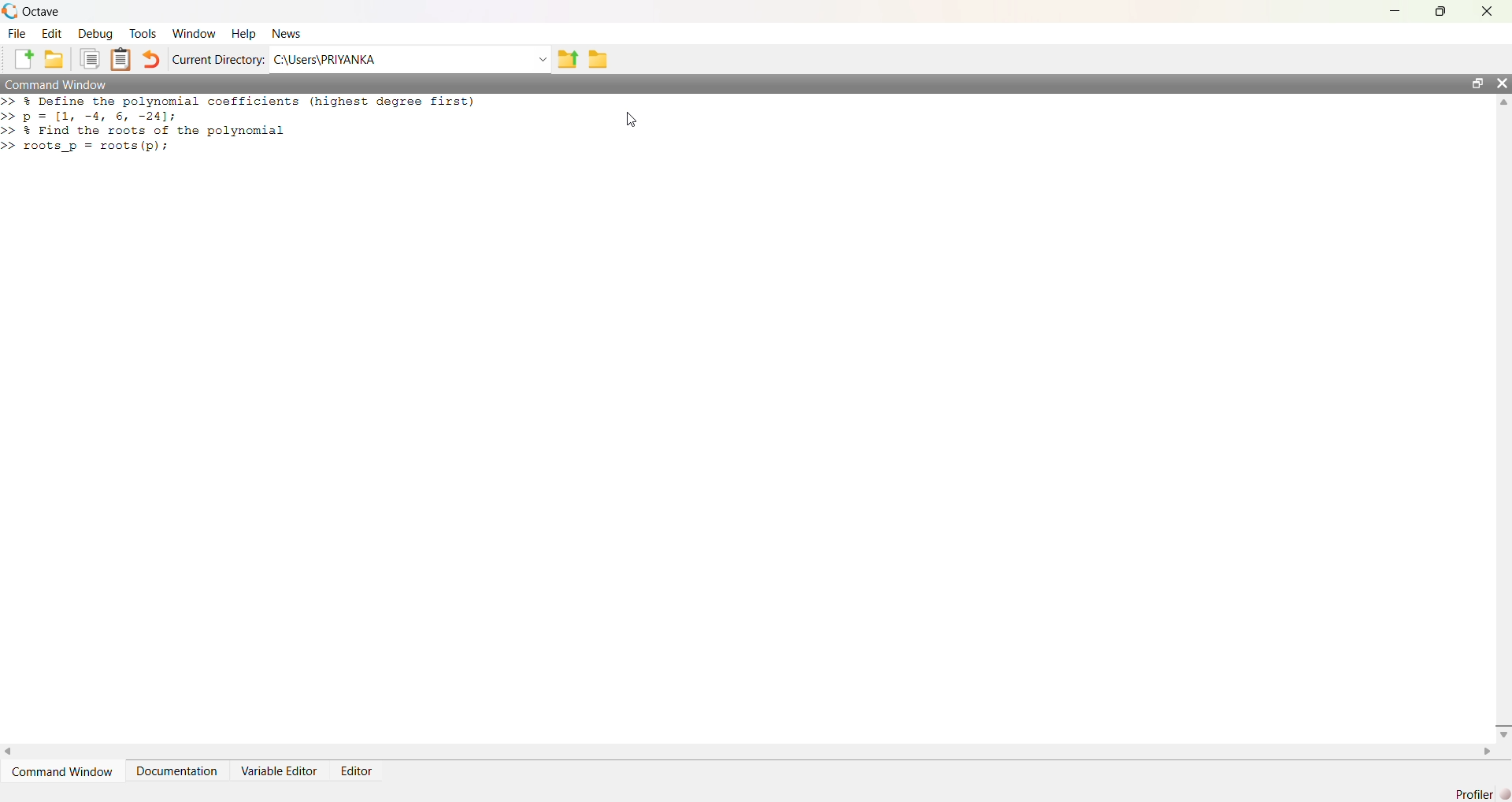 The height and width of the screenshot is (802, 1512). I want to click on Variable Editor, so click(278, 770).